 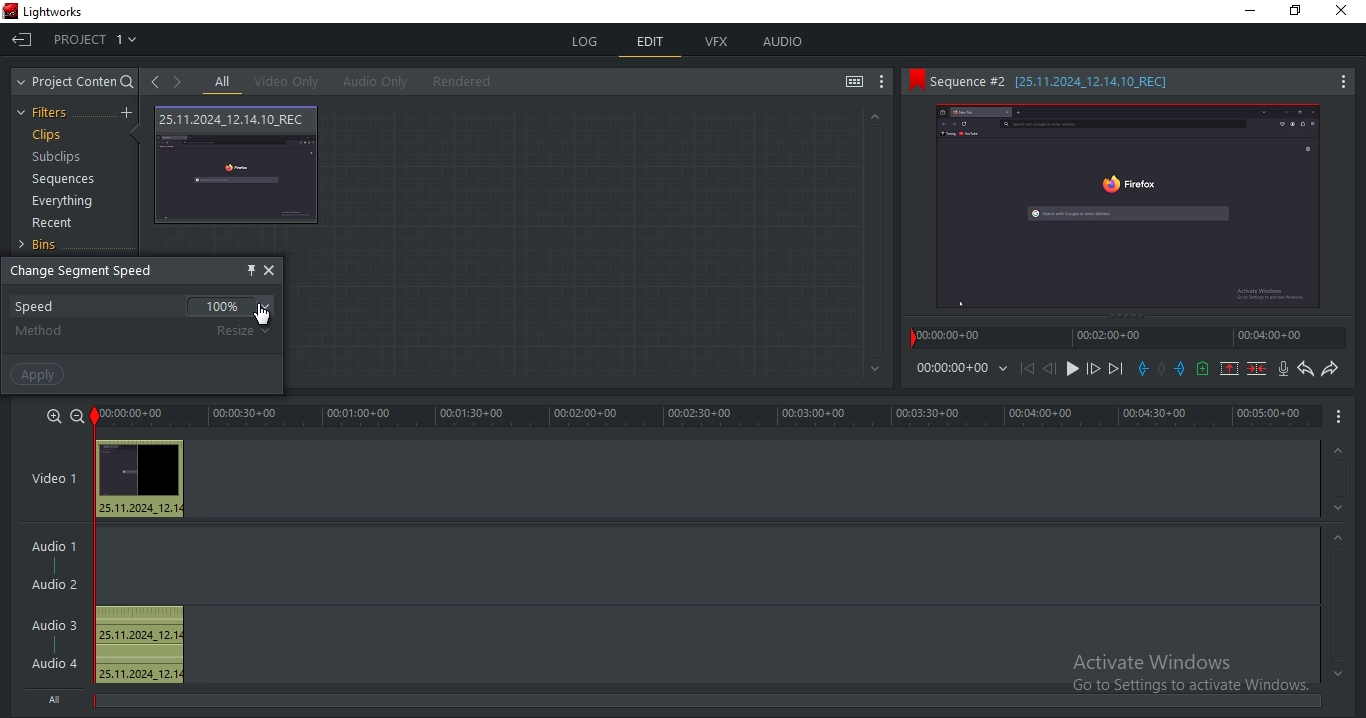 I want to click on cursor, so click(x=262, y=315).